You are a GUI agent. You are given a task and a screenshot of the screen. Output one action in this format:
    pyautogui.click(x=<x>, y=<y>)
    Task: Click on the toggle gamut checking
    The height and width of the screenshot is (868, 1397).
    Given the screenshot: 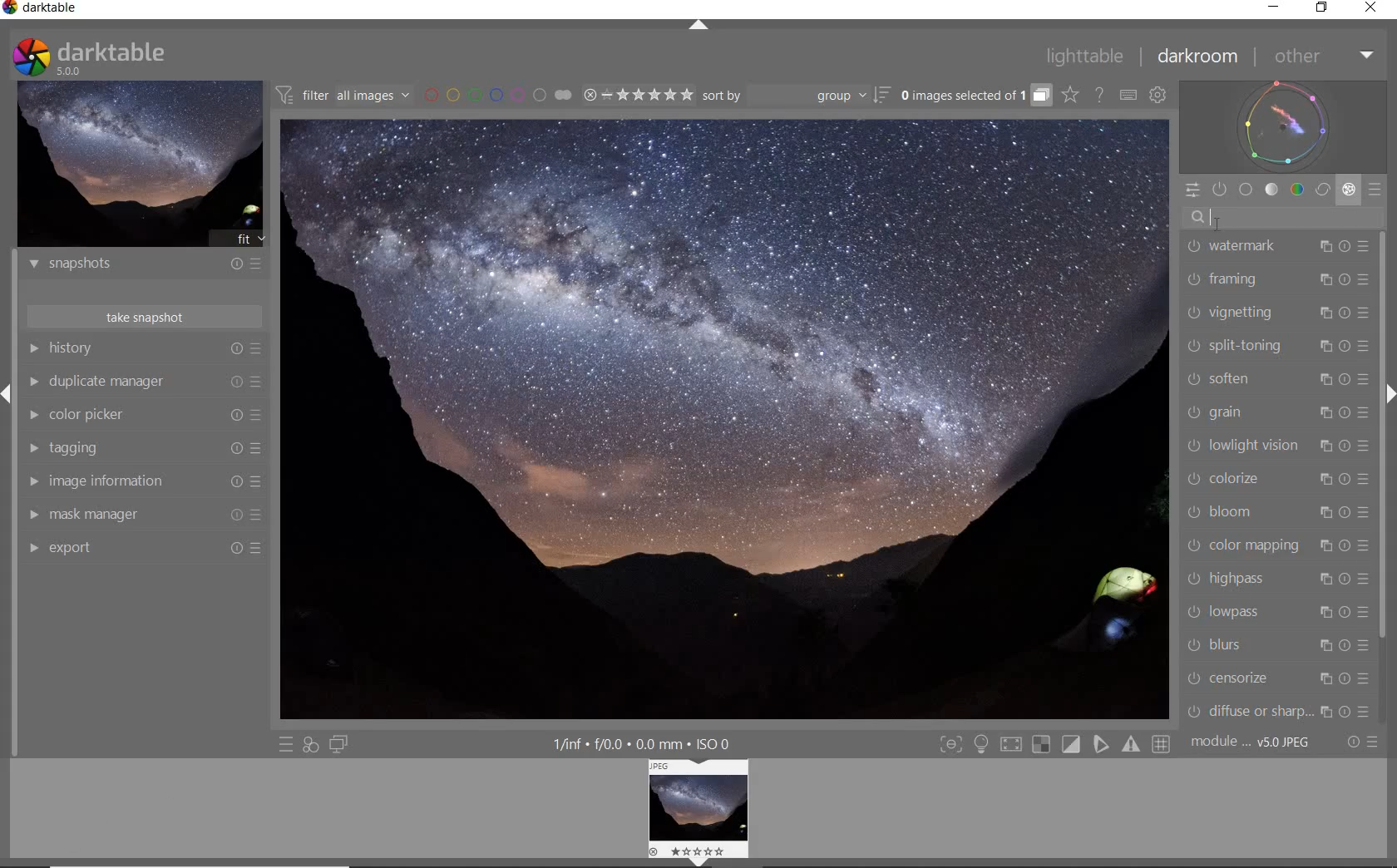 What is the action you would take?
    pyautogui.click(x=1135, y=745)
    